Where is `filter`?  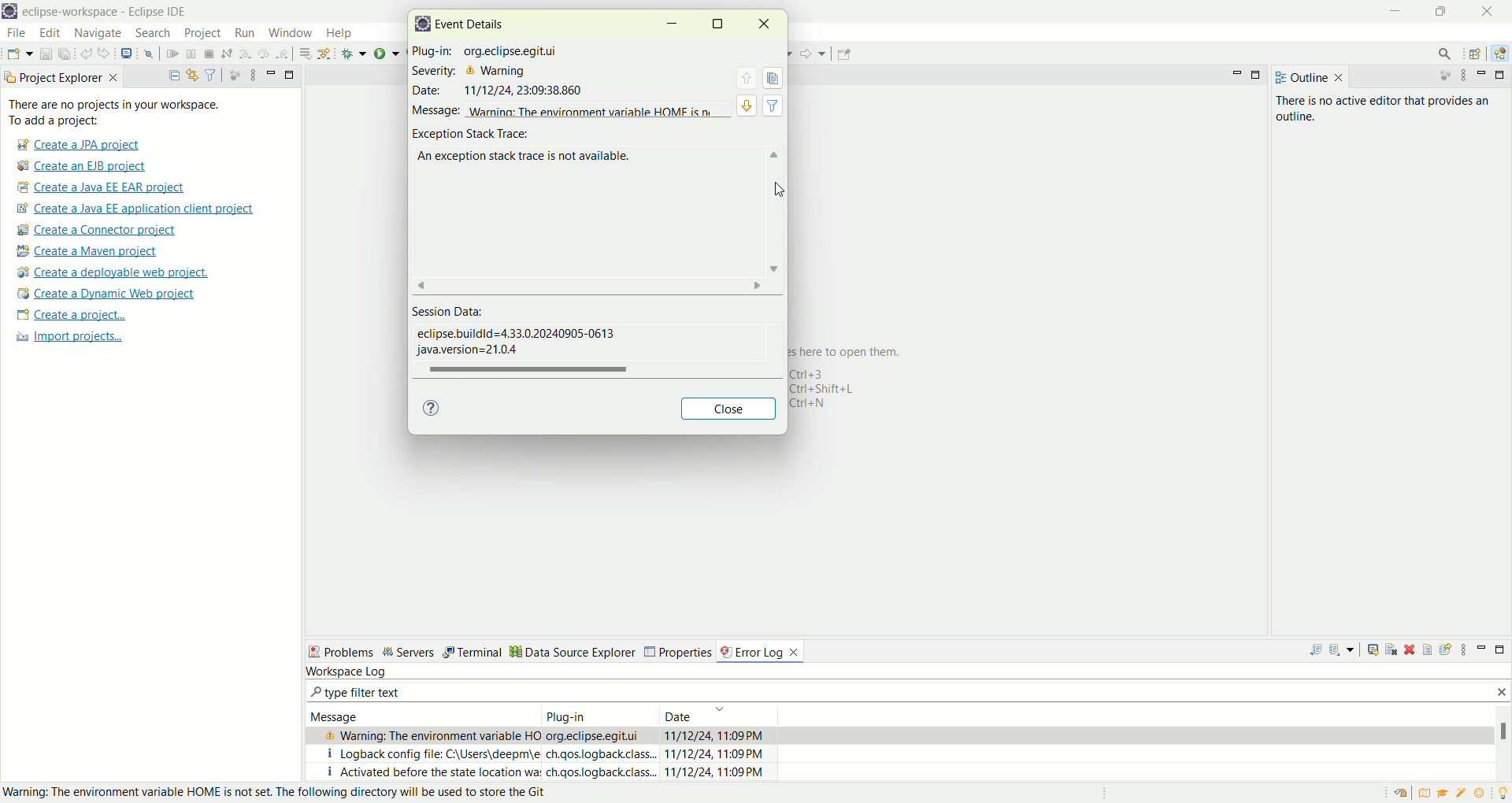
filter is located at coordinates (211, 74).